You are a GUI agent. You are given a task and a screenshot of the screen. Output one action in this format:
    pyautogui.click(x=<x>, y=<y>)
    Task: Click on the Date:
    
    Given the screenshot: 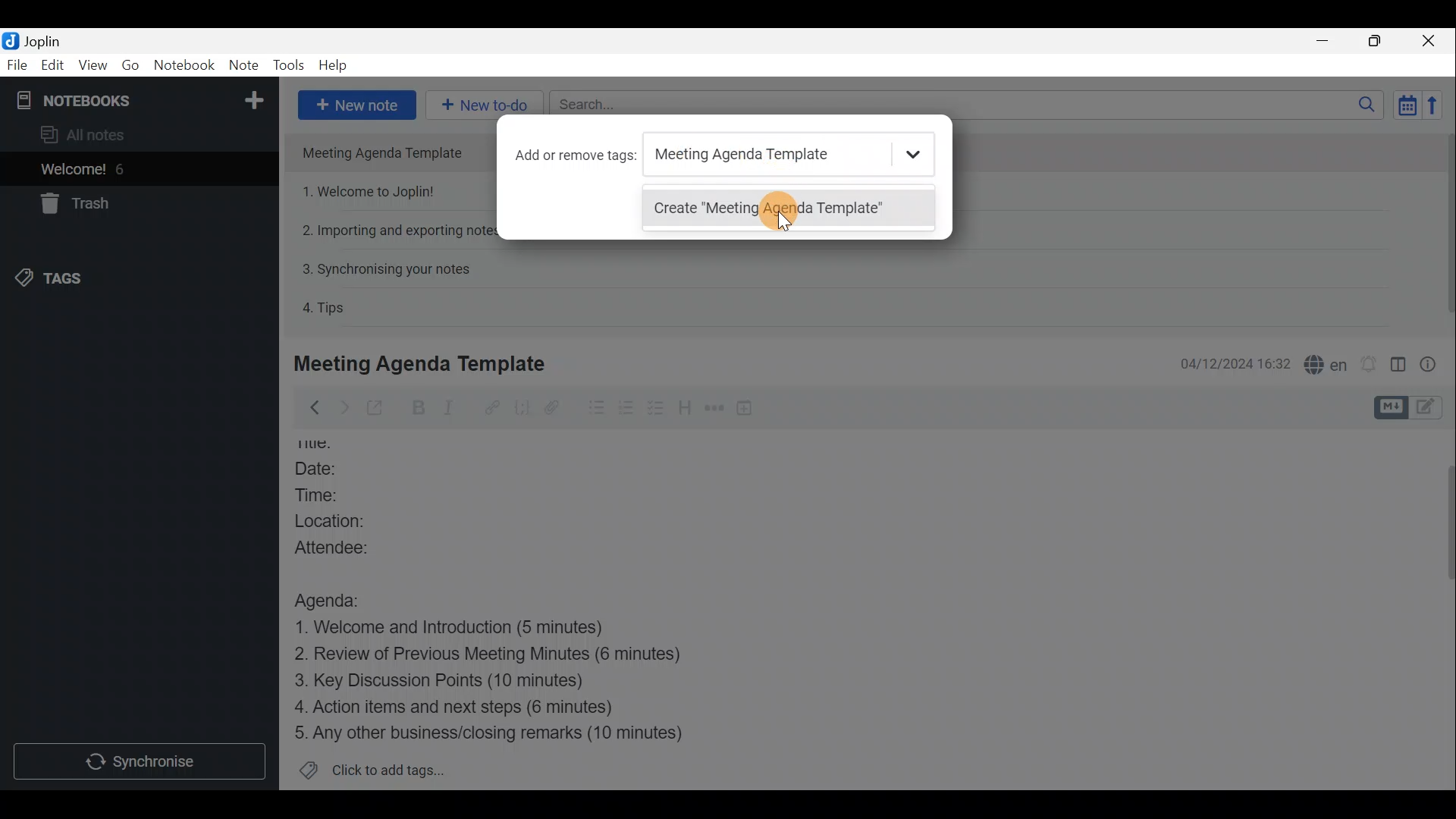 What is the action you would take?
    pyautogui.click(x=334, y=470)
    